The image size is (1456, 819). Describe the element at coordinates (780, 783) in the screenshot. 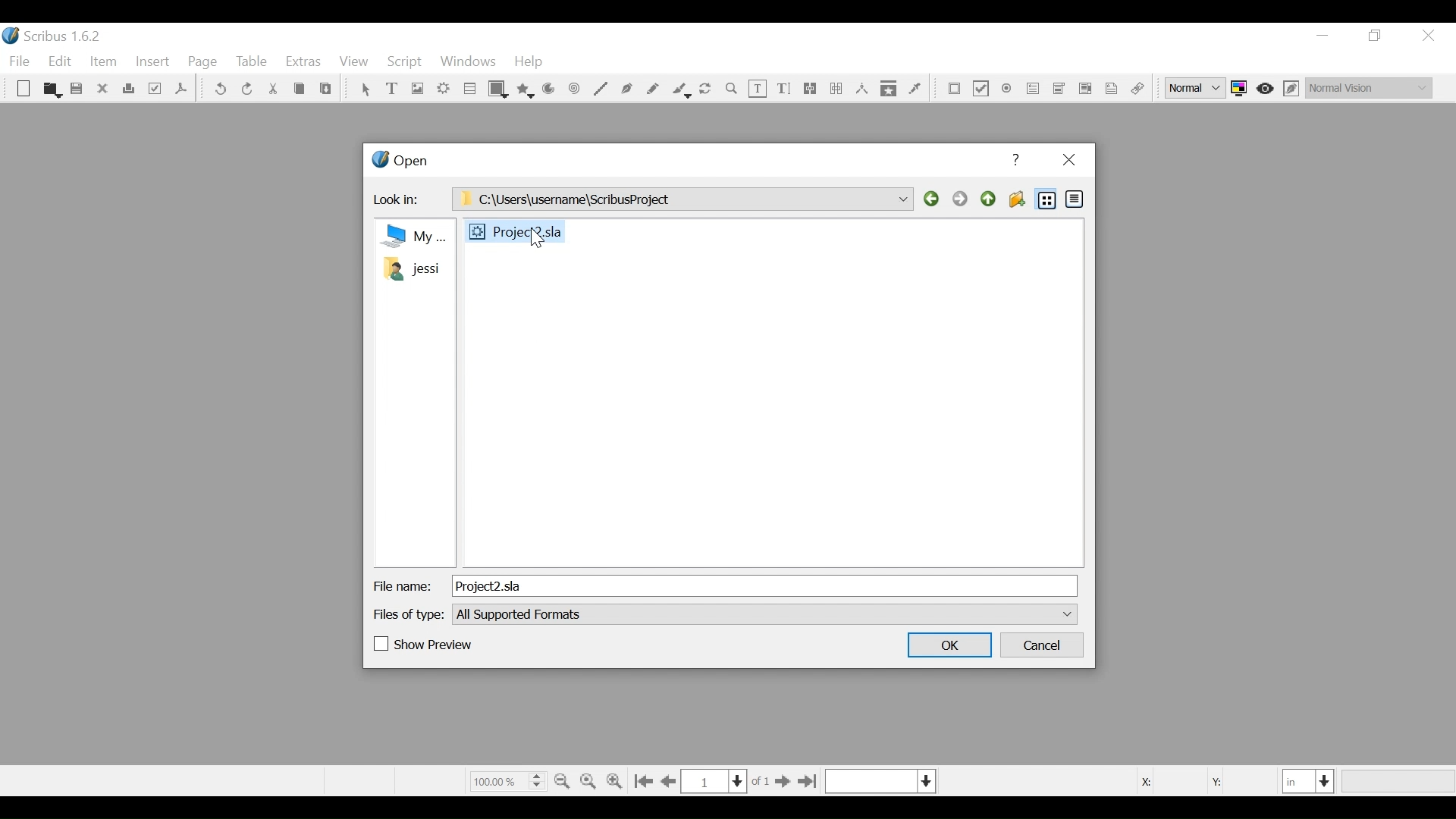

I see `Go to next Page` at that location.